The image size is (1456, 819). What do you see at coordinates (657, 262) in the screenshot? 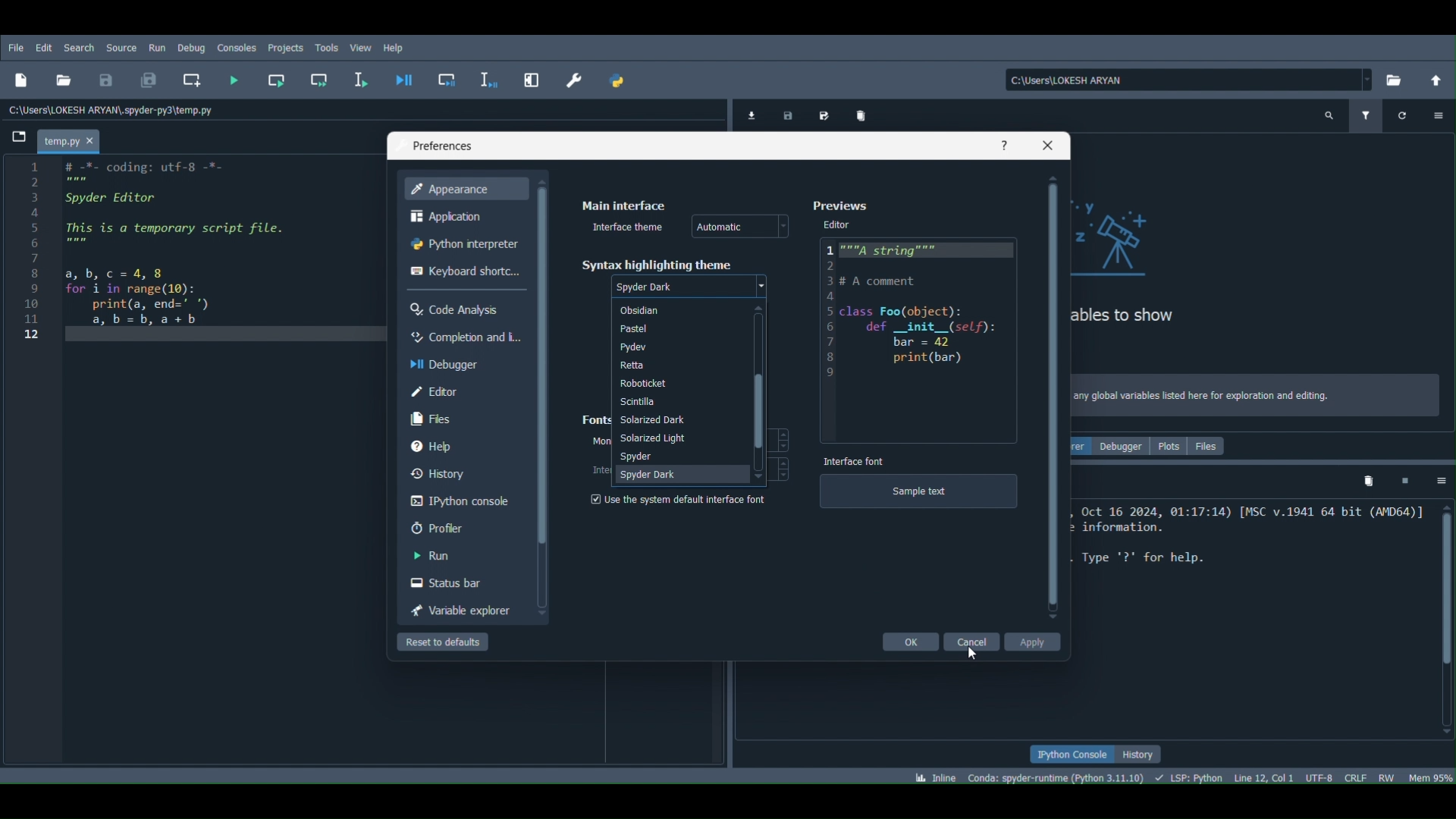
I see `Syntax highlighting theme` at bounding box center [657, 262].